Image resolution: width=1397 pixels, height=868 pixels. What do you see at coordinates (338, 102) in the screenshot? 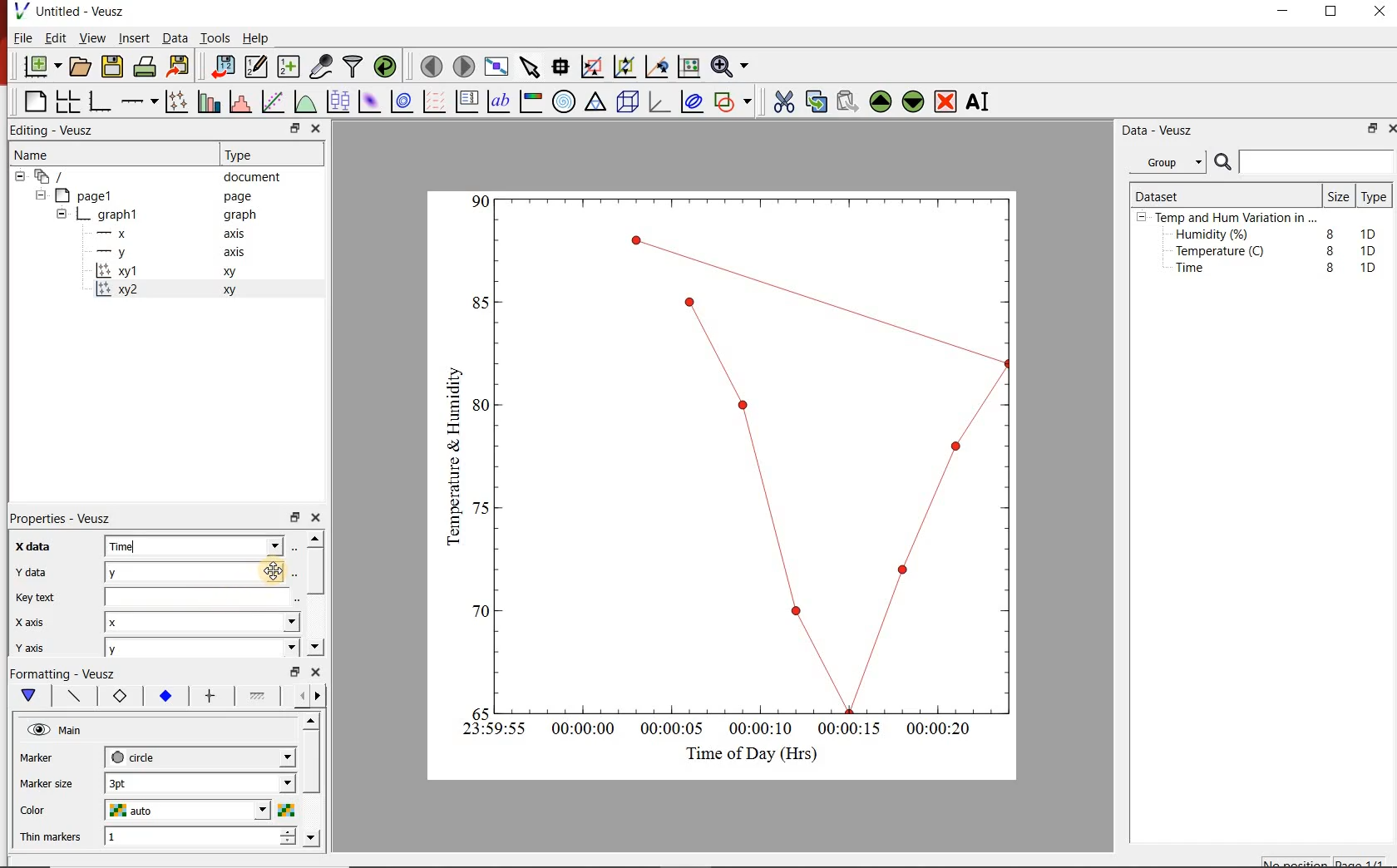
I see `plot box plots` at bounding box center [338, 102].